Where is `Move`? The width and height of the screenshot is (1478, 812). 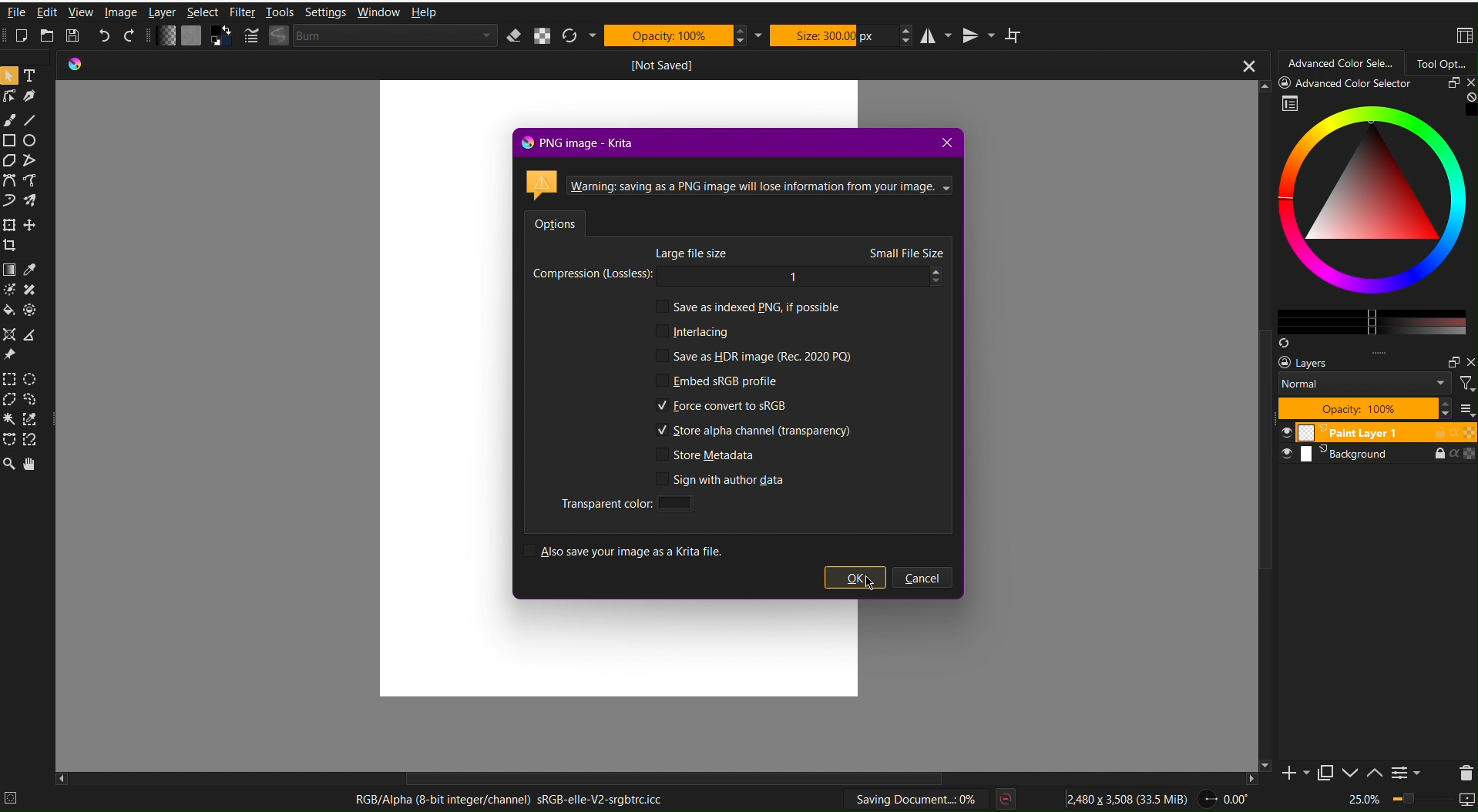
Move is located at coordinates (32, 464).